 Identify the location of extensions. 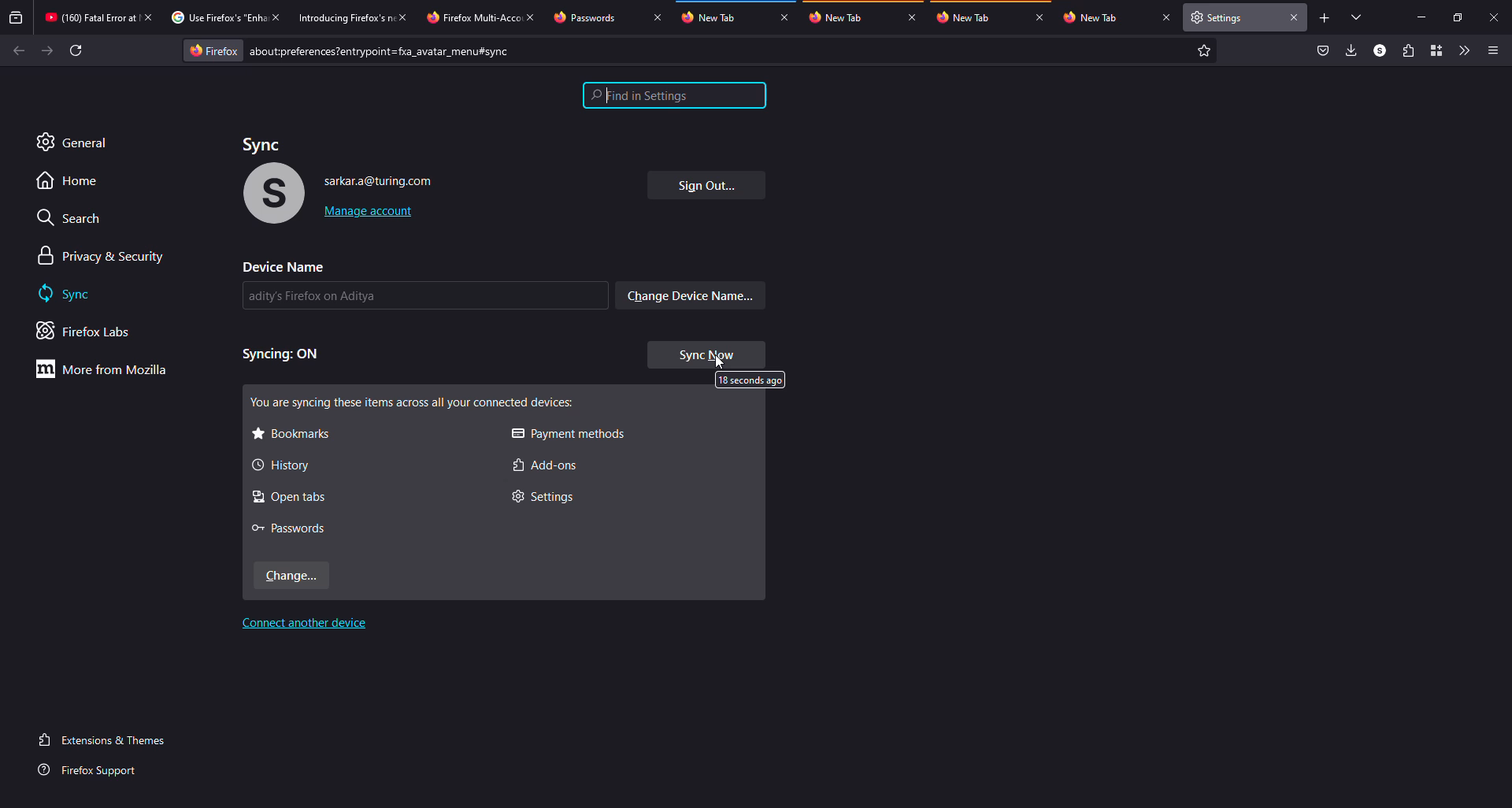
(1407, 50).